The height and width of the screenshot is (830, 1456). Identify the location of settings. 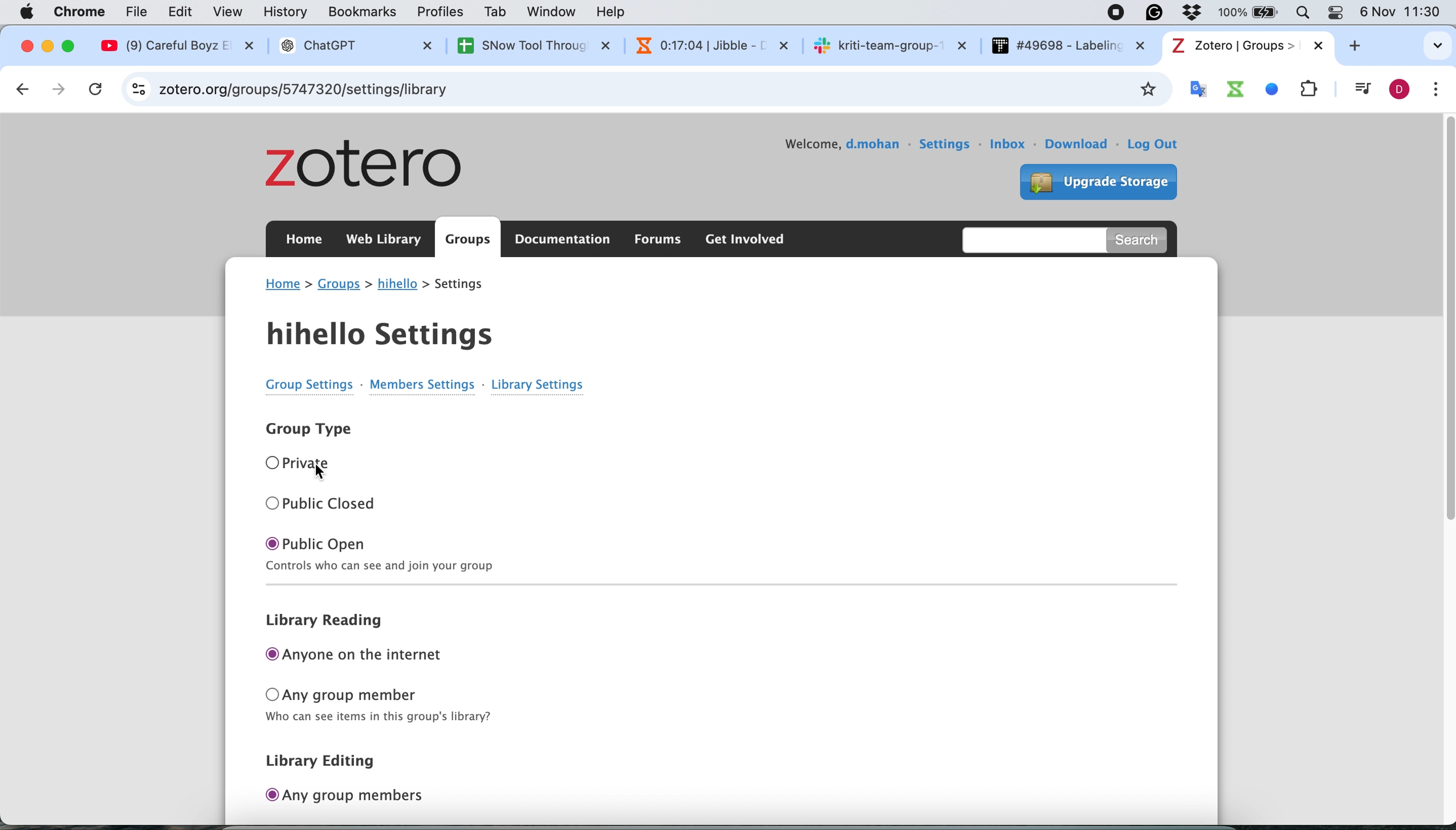
(946, 140).